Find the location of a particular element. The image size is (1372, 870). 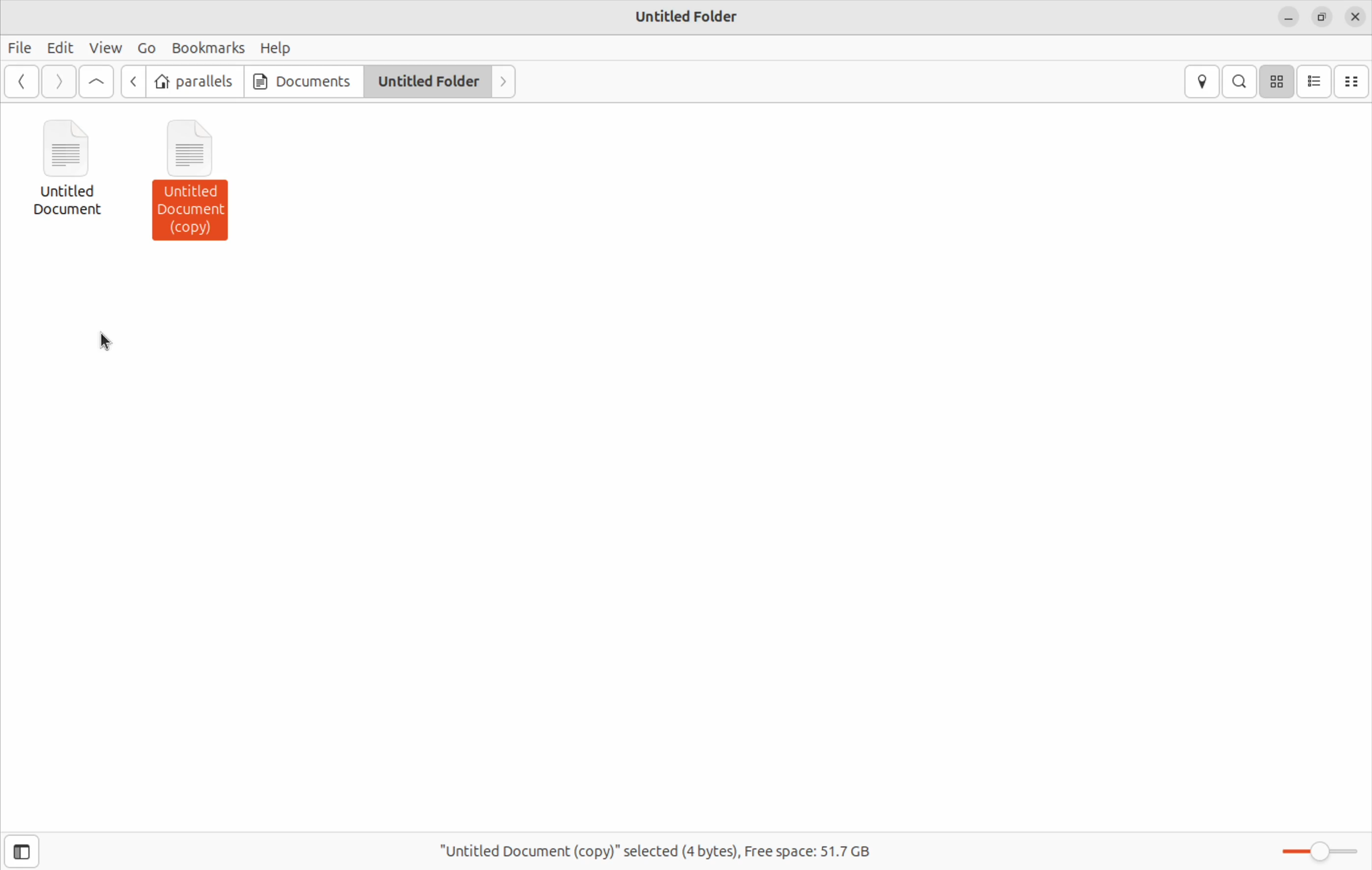

compact view is located at coordinates (1357, 81).